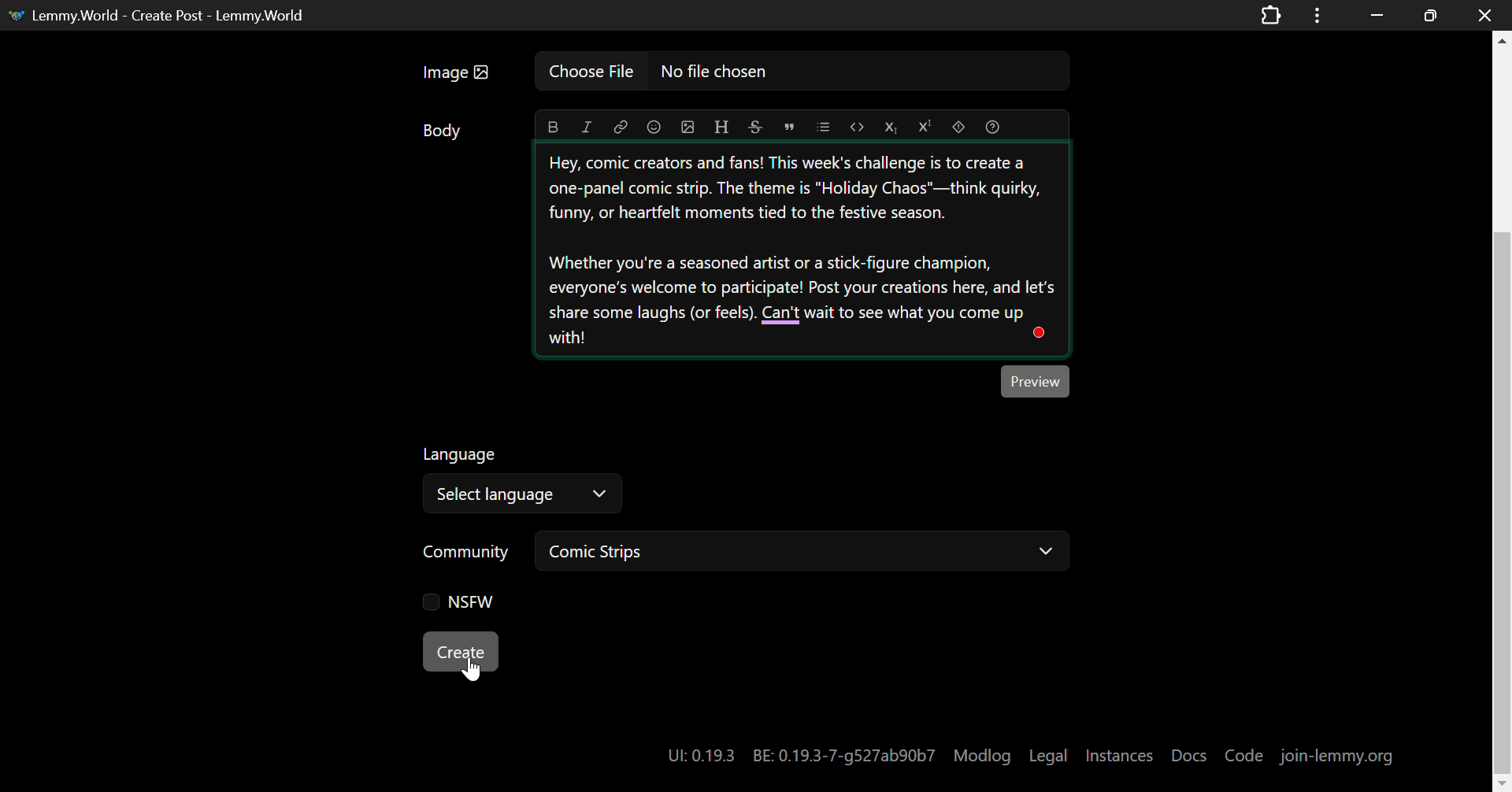 This screenshot has width=1512, height=792. I want to click on Application Extension, so click(1274, 13).